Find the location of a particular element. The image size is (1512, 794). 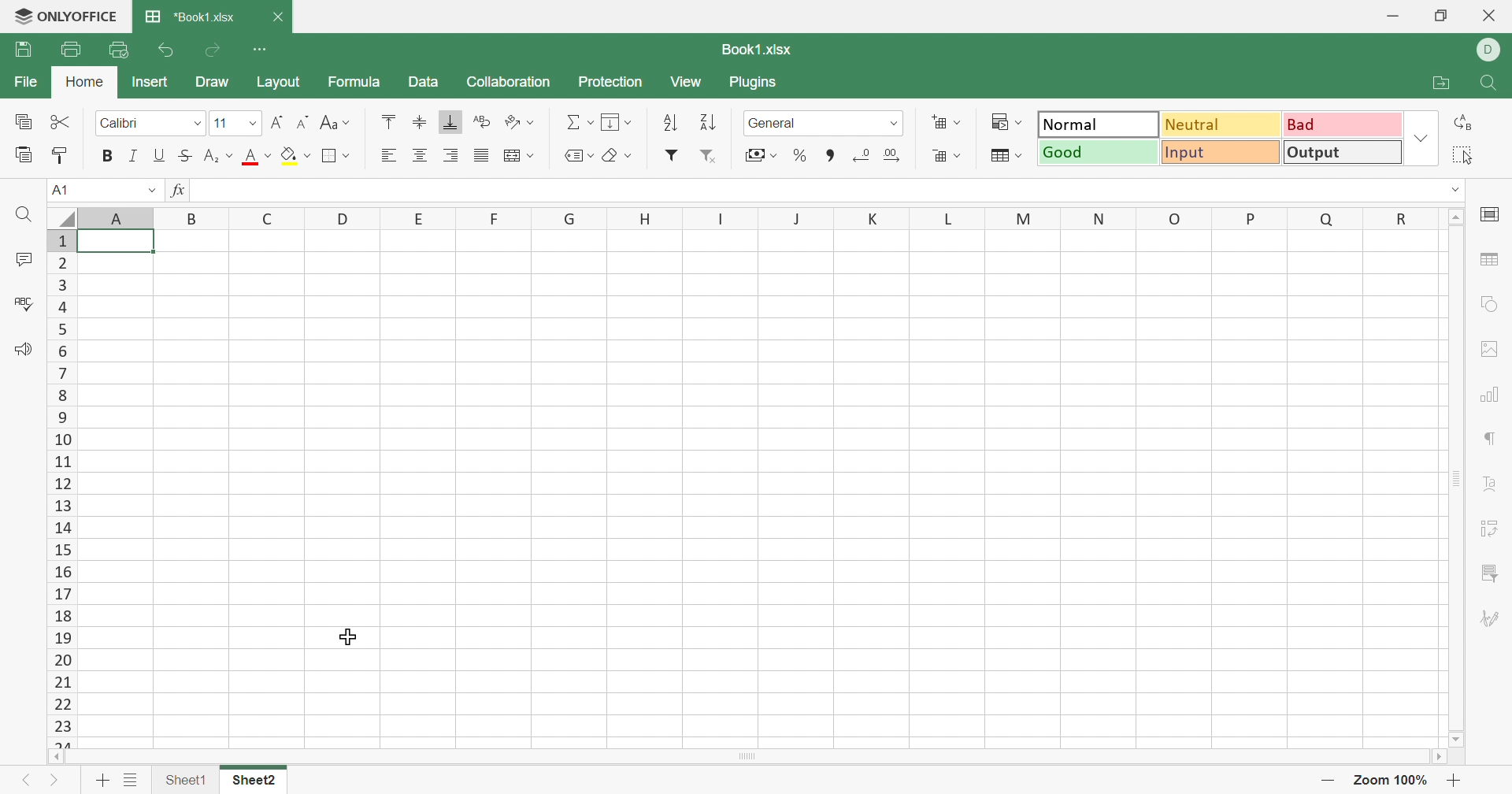

Comments is located at coordinates (23, 261).